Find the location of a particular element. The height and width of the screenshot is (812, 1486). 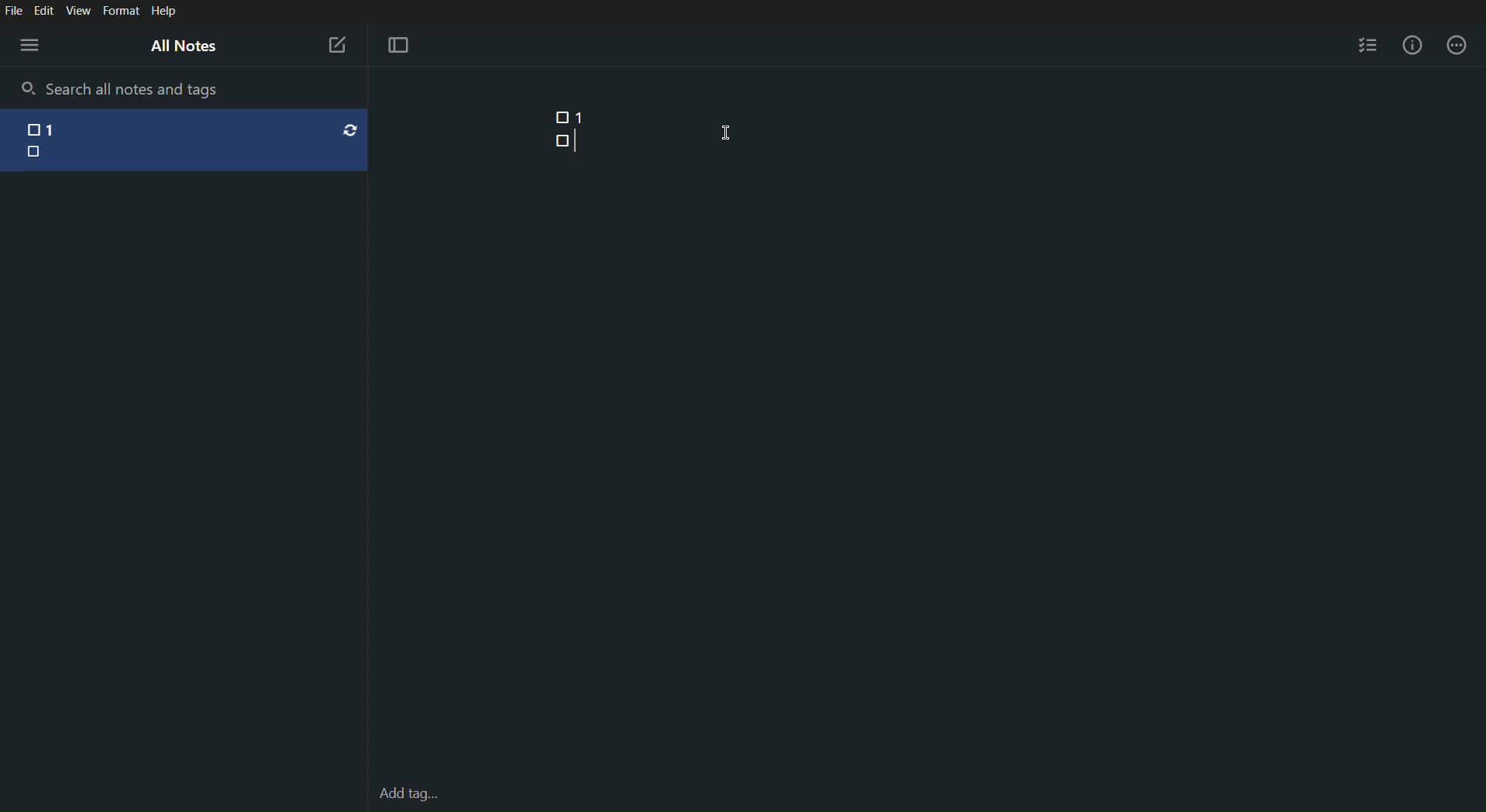

New Note is located at coordinates (336, 45).